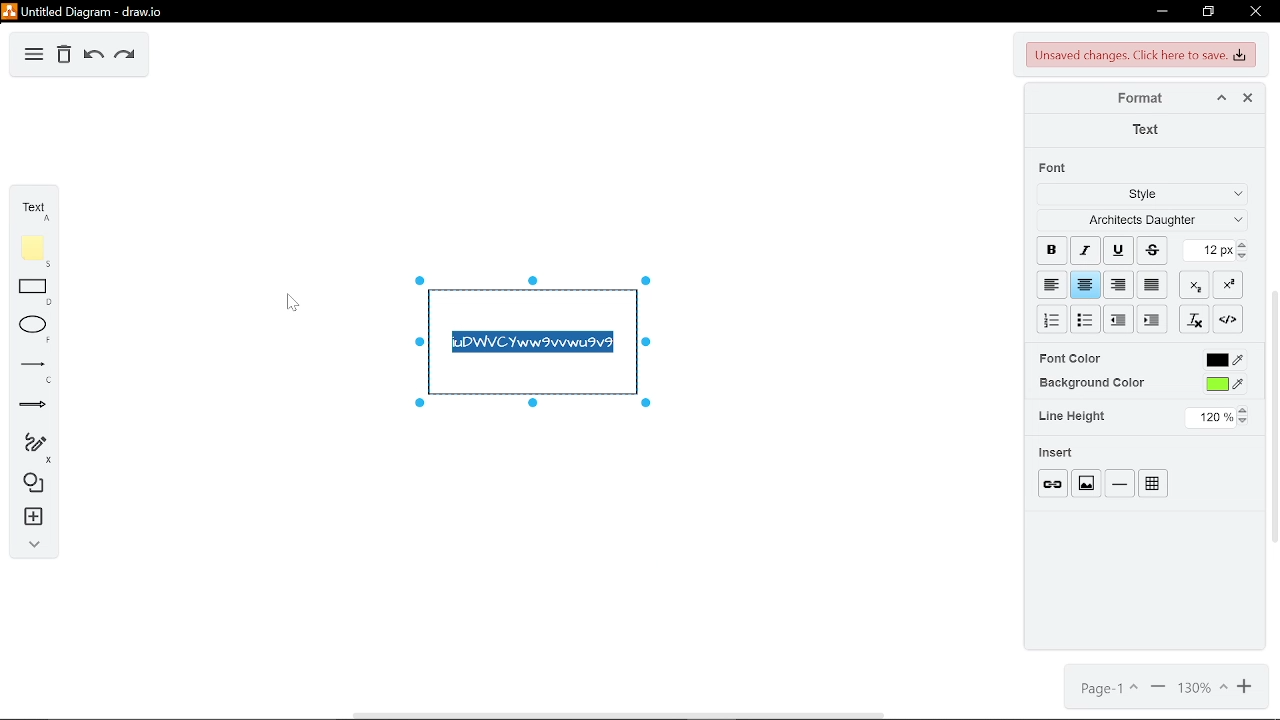 This screenshot has width=1280, height=720. What do you see at coordinates (1073, 358) in the screenshot?
I see `font color` at bounding box center [1073, 358].